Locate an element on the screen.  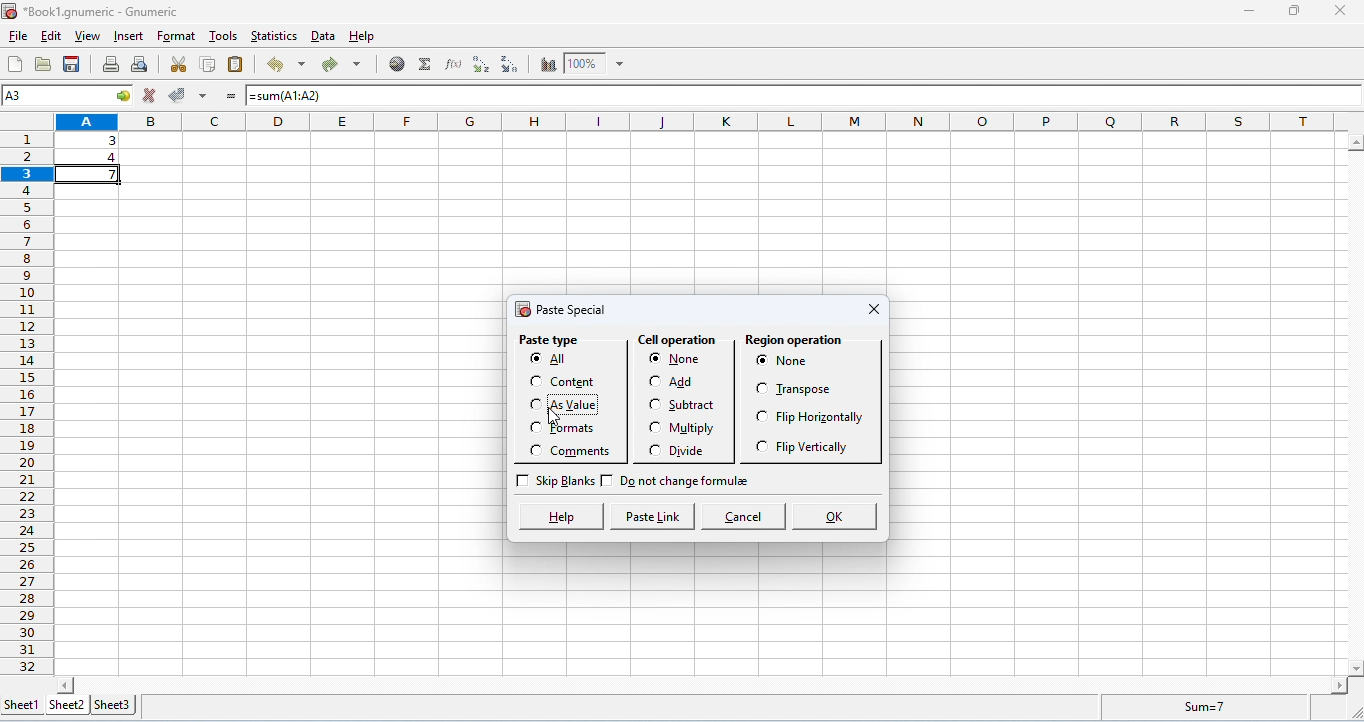
flip horizontally is located at coordinates (829, 420).